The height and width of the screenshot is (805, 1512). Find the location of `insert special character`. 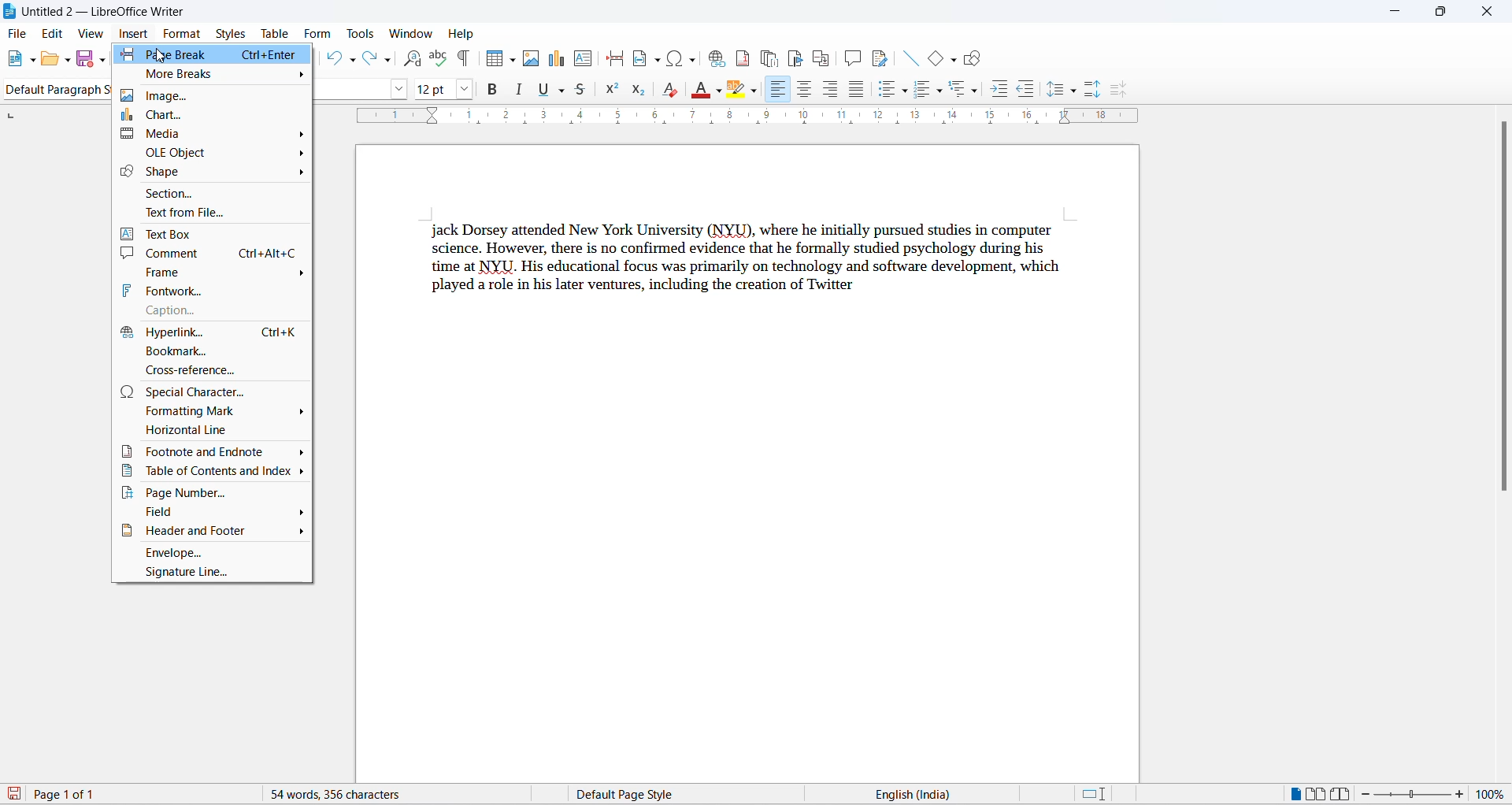

insert special character is located at coordinates (671, 58).